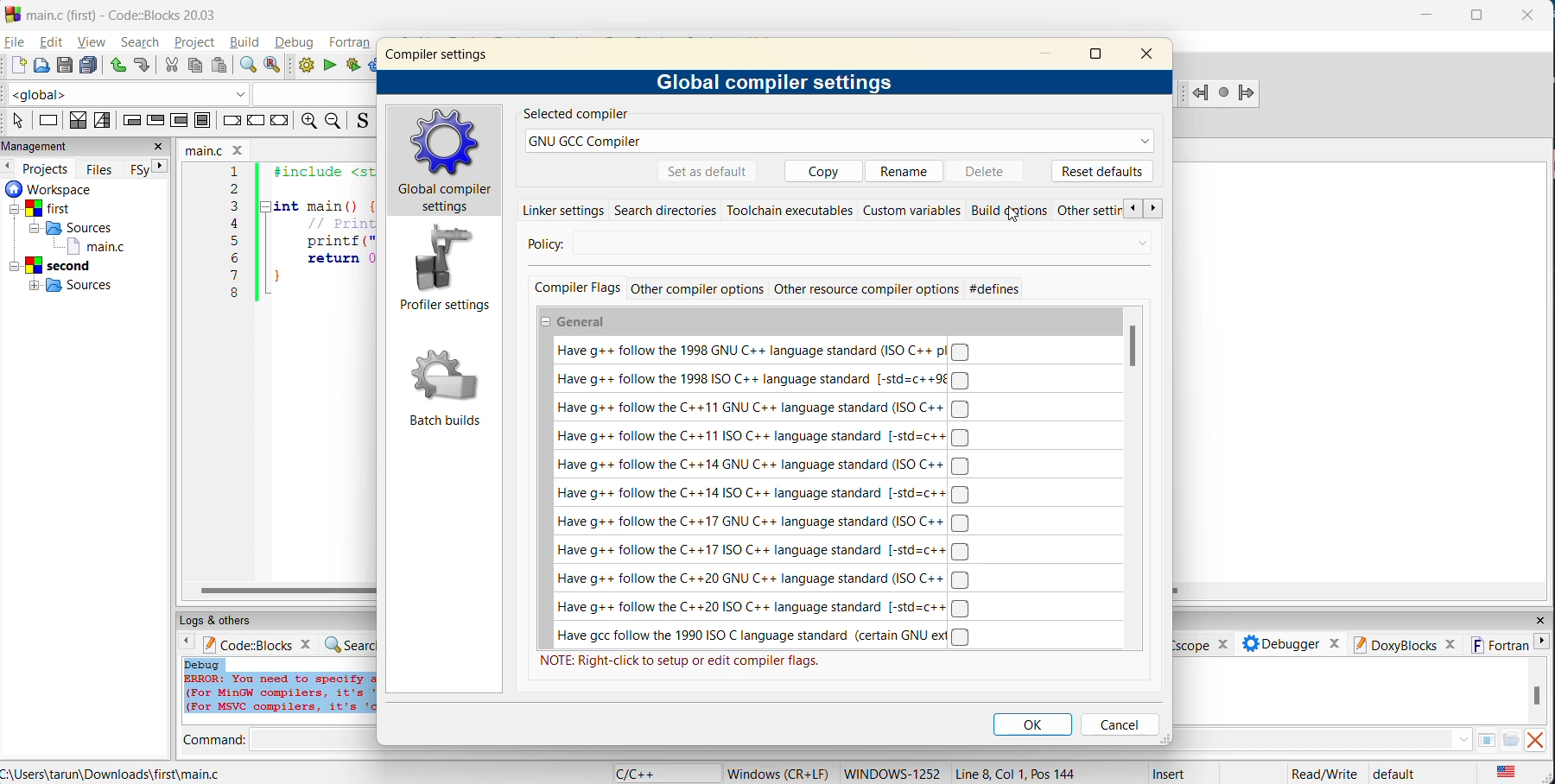  Describe the element at coordinates (637, 774) in the screenshot. I see `language` at that location.